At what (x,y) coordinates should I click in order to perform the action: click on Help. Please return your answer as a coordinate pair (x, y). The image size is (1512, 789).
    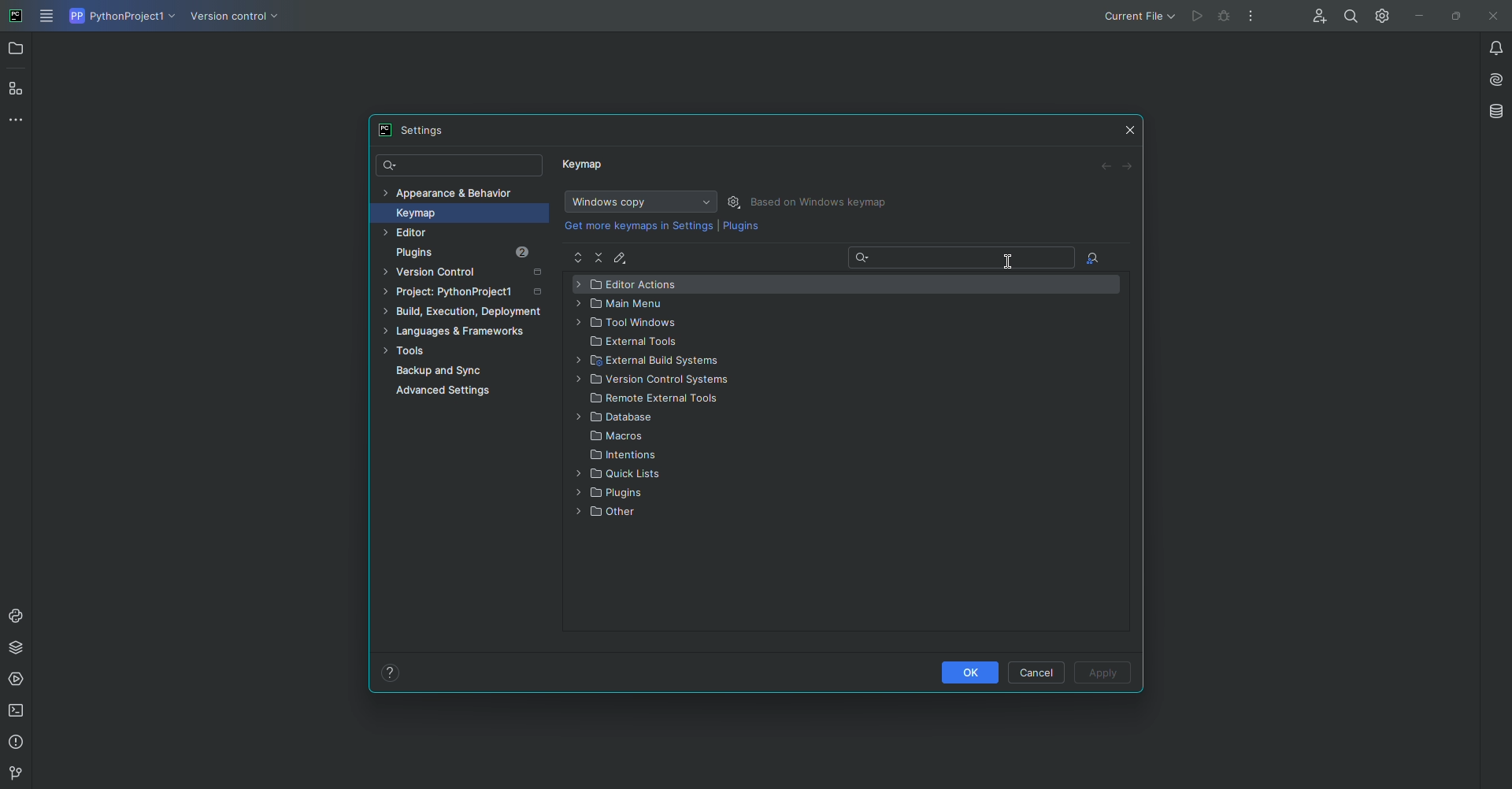
    Looking at the image, I should click on (391, 672).